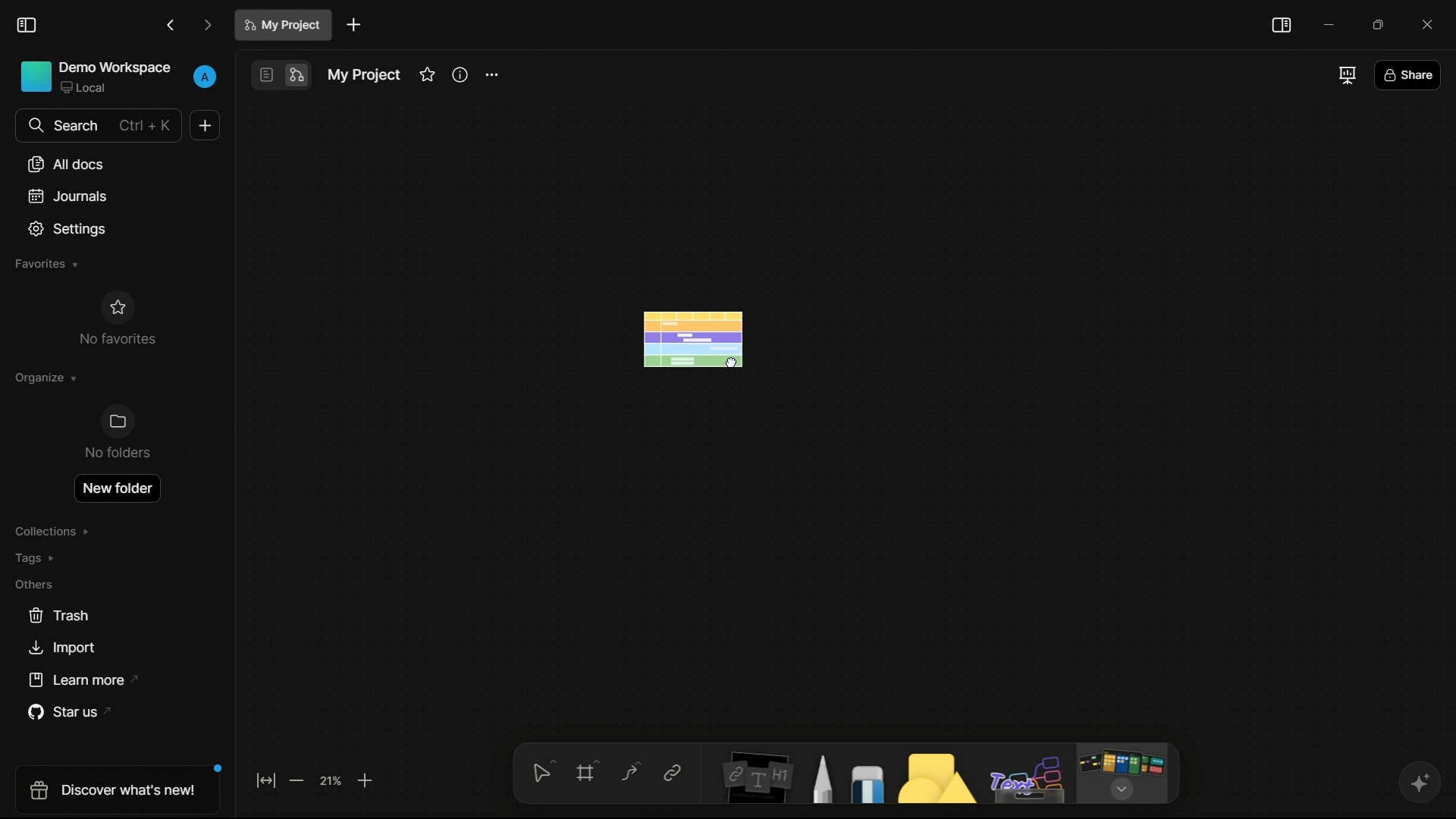 Image resolution: width=1456 pixels, height=819 pixels. I want to click on demo workspace, so click(96, 78).